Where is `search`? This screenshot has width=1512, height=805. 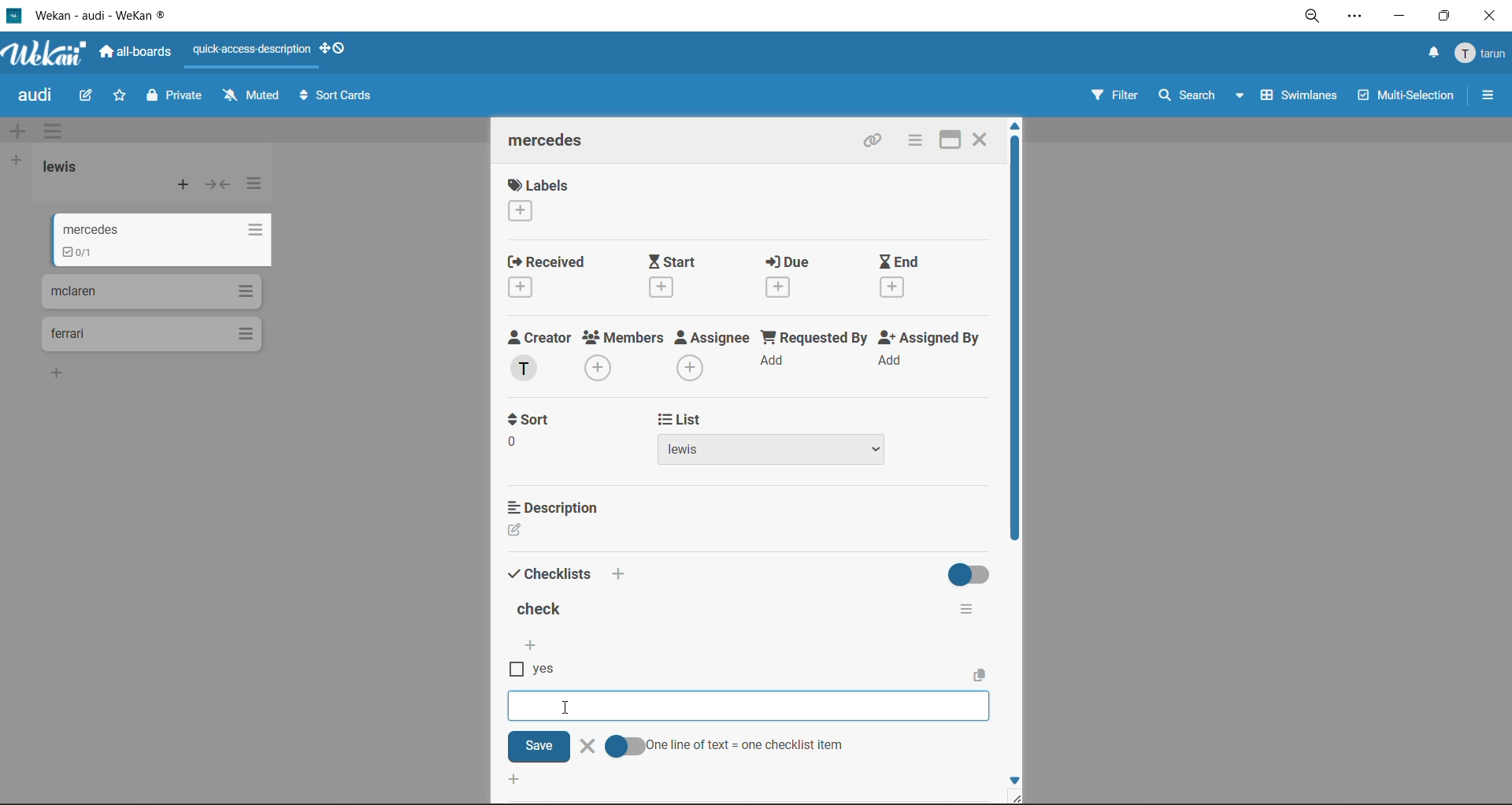
search is located at coordinates (1196, 96).